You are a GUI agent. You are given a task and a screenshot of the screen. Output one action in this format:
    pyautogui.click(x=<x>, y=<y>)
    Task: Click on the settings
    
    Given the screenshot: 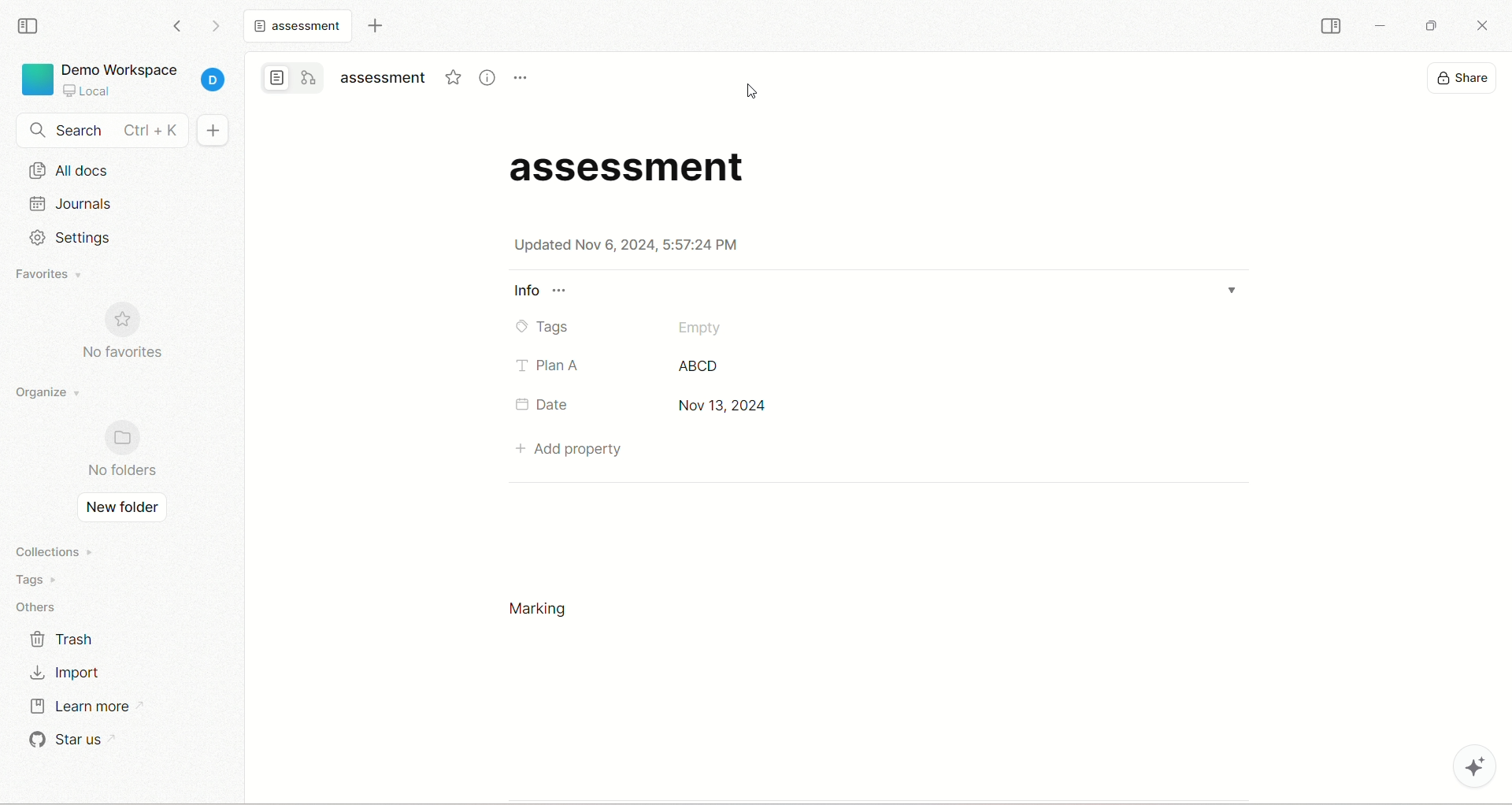 What is the action you would take?
    pyautogui.click(x=82, y=238)
    